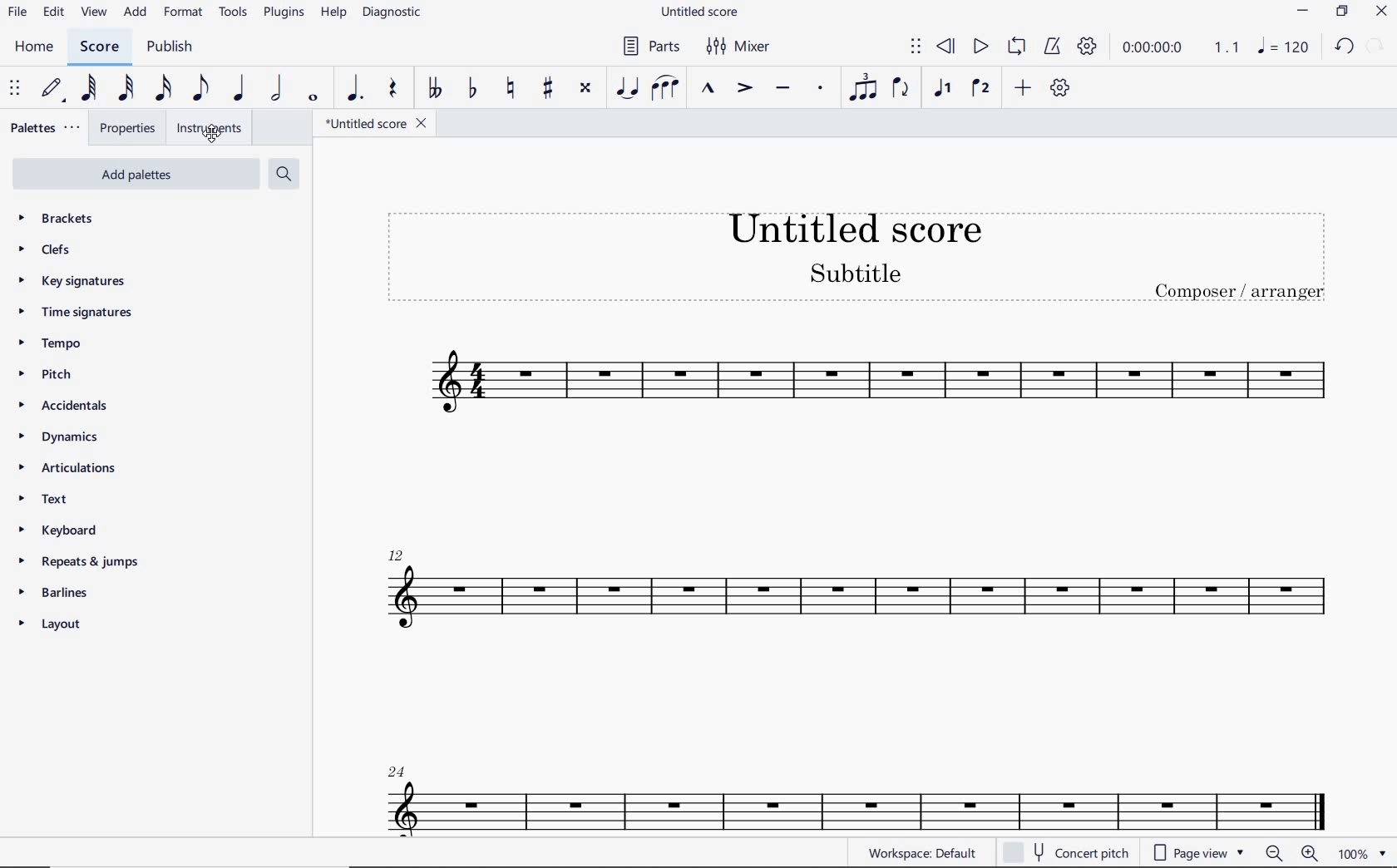  I want to click on key signatures, so click(77, 282).